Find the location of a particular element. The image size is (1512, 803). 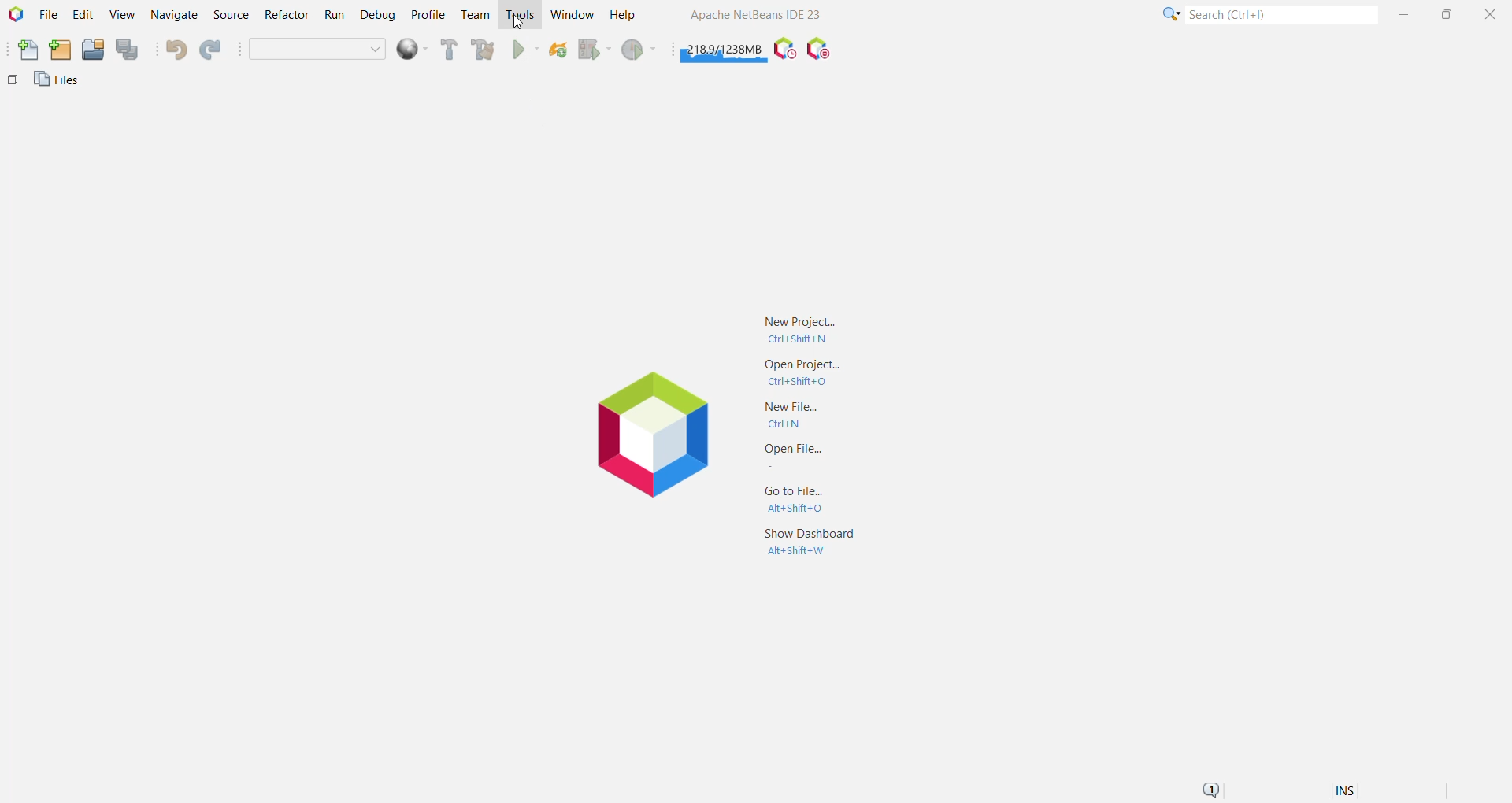

Refactor is located at coordinates (288, 17).